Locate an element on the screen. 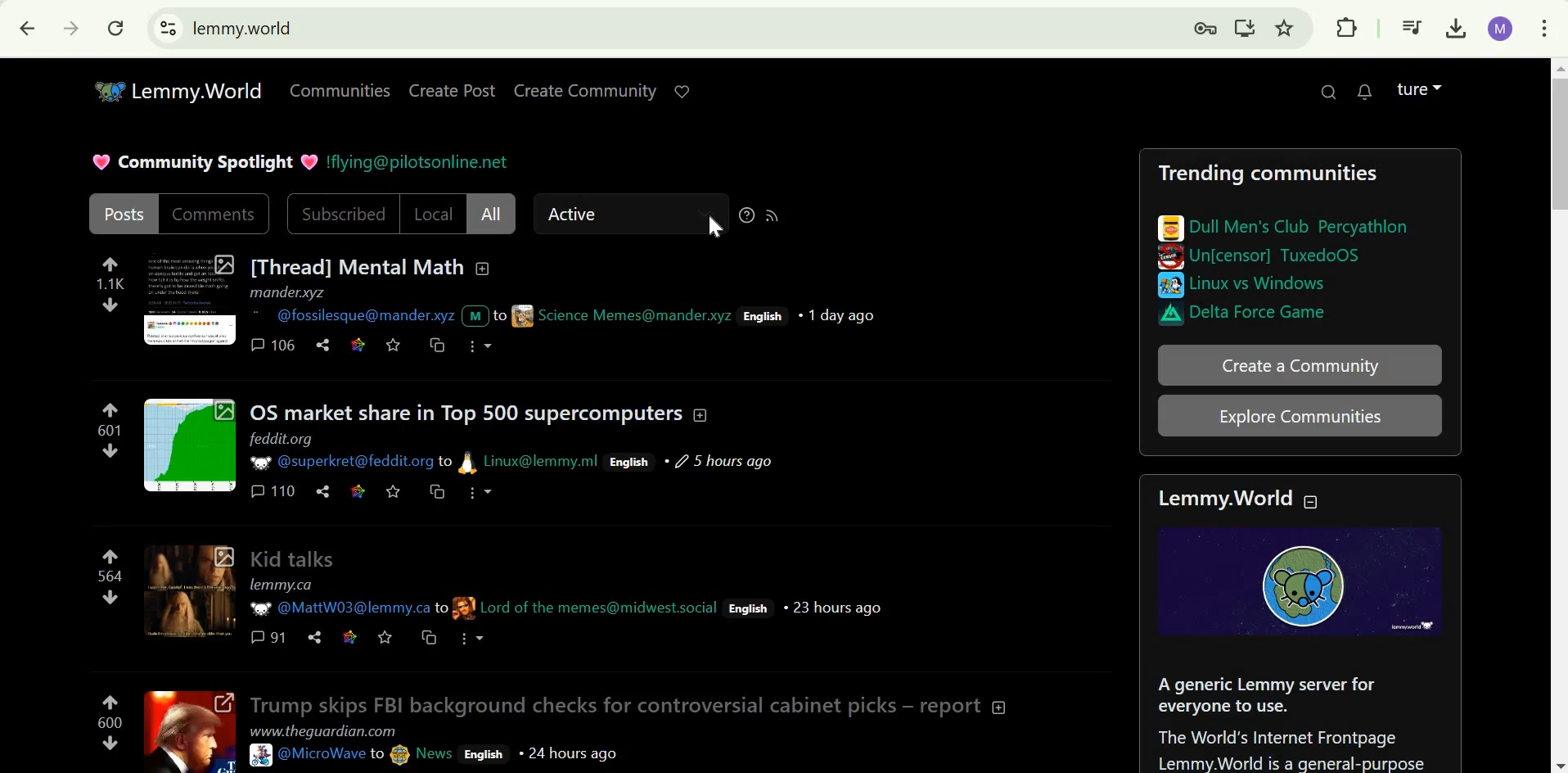 The image size is (1568, 773). [Thread] Mental Math is located at coordinates (356, 265).